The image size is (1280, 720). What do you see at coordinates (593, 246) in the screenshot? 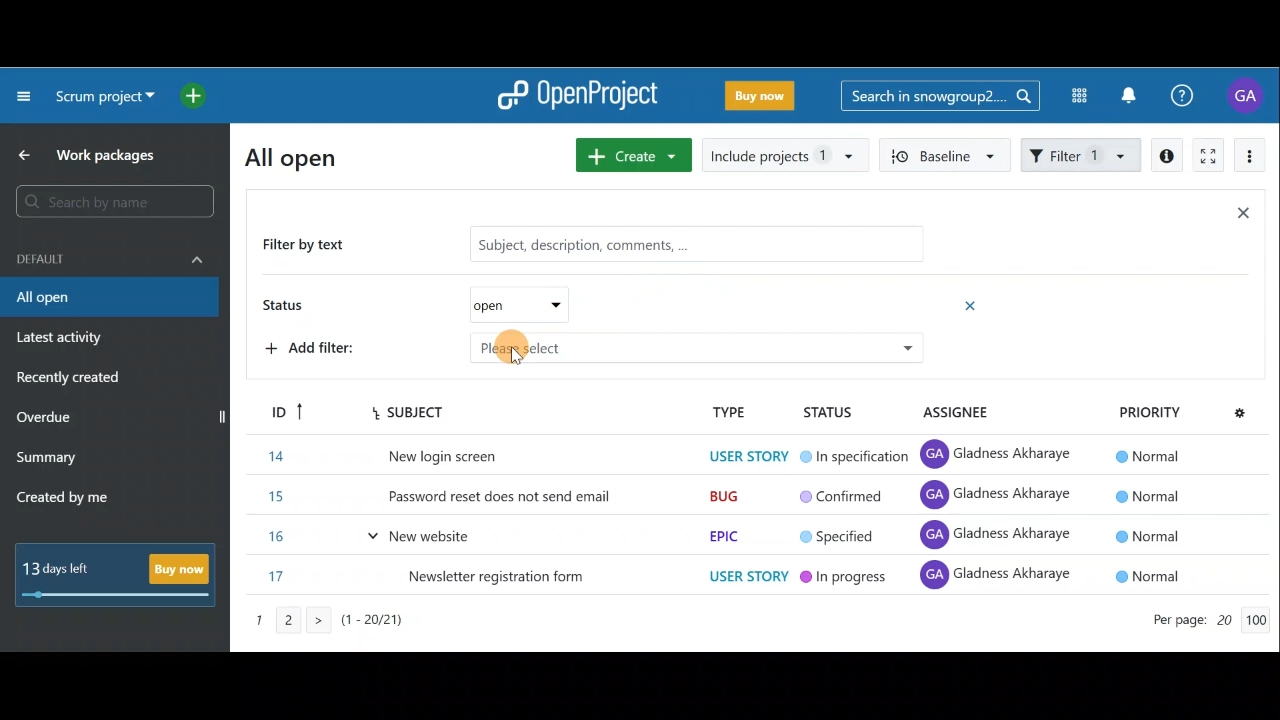
I see `Filter by text` at bounding box center [593, 246].